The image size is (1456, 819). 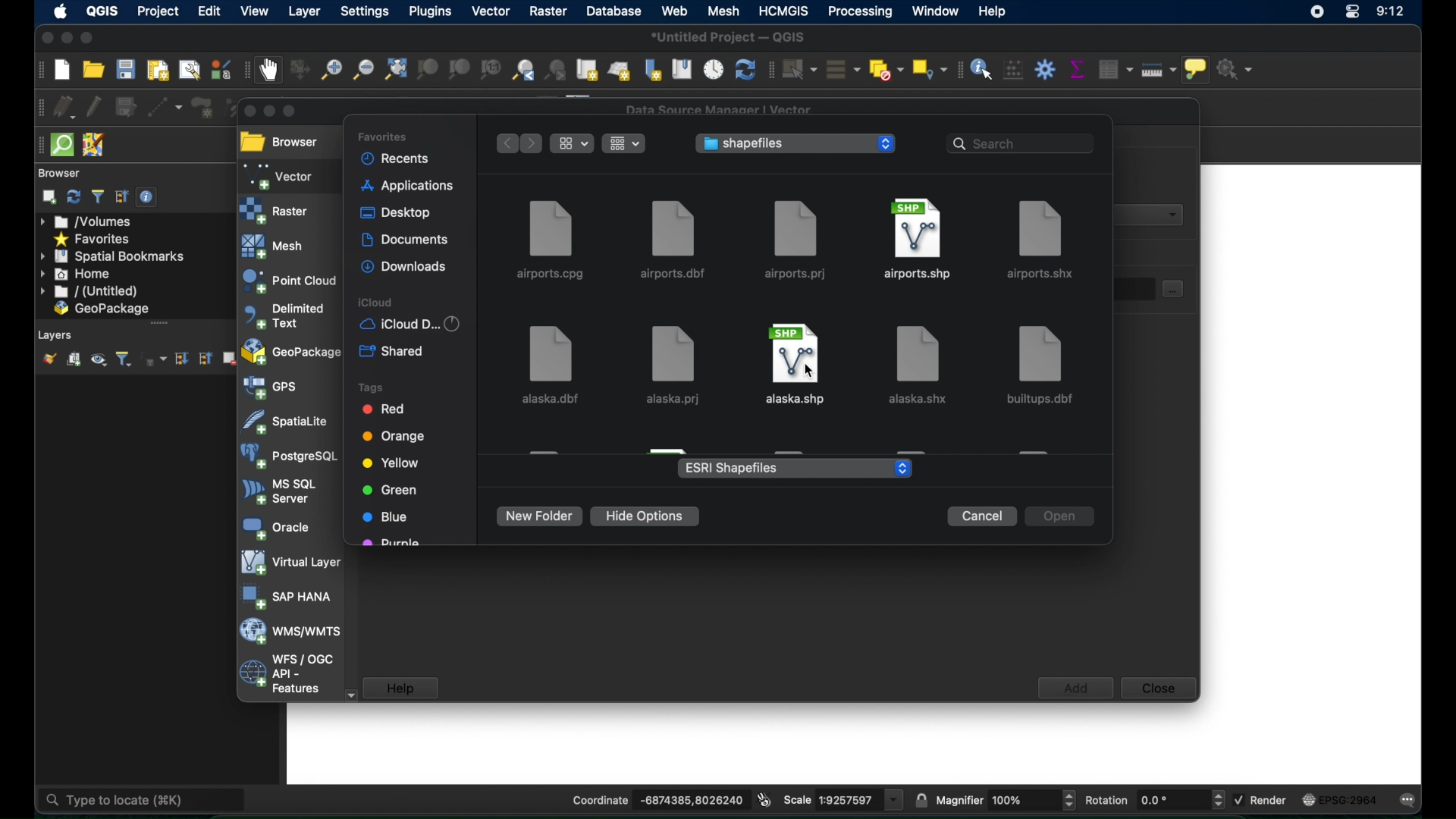 I want to click on render, so click(x=1261, y=799).